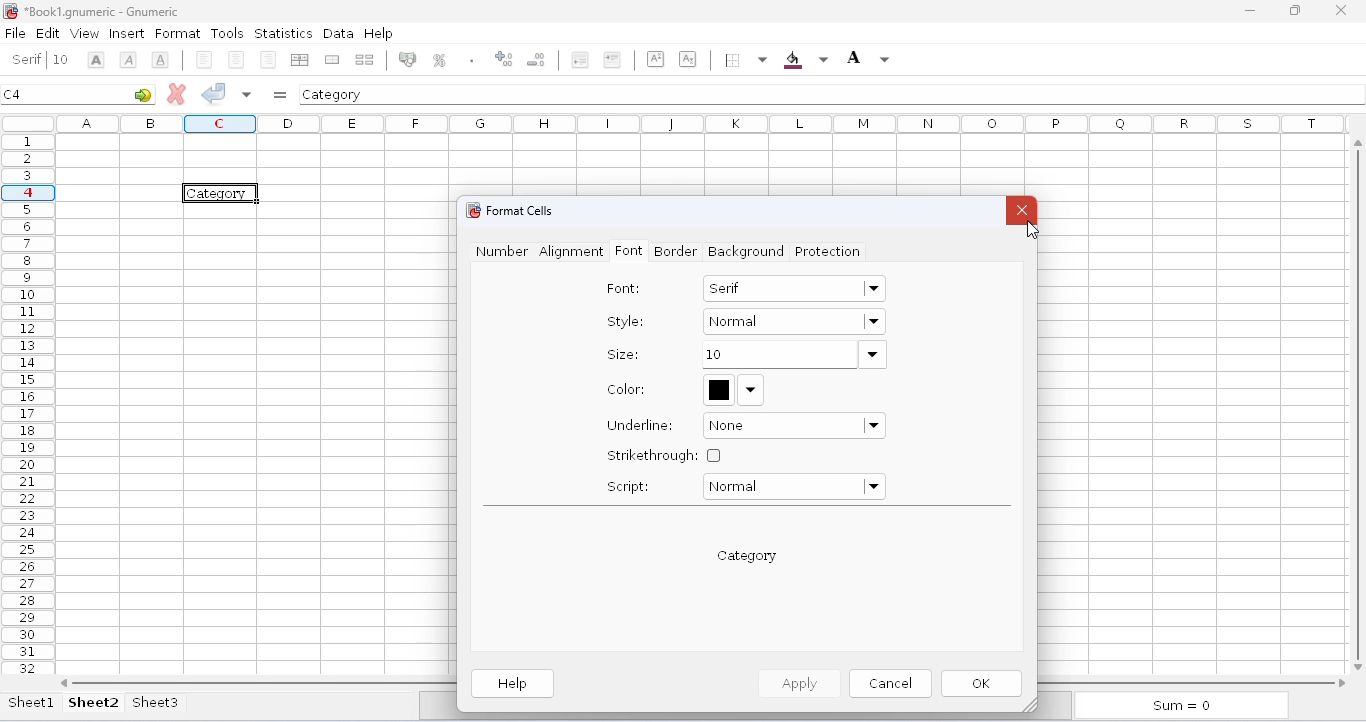 The height and width of the screenshot is (722, 1366). I want to click on bold, so click(128, 60).